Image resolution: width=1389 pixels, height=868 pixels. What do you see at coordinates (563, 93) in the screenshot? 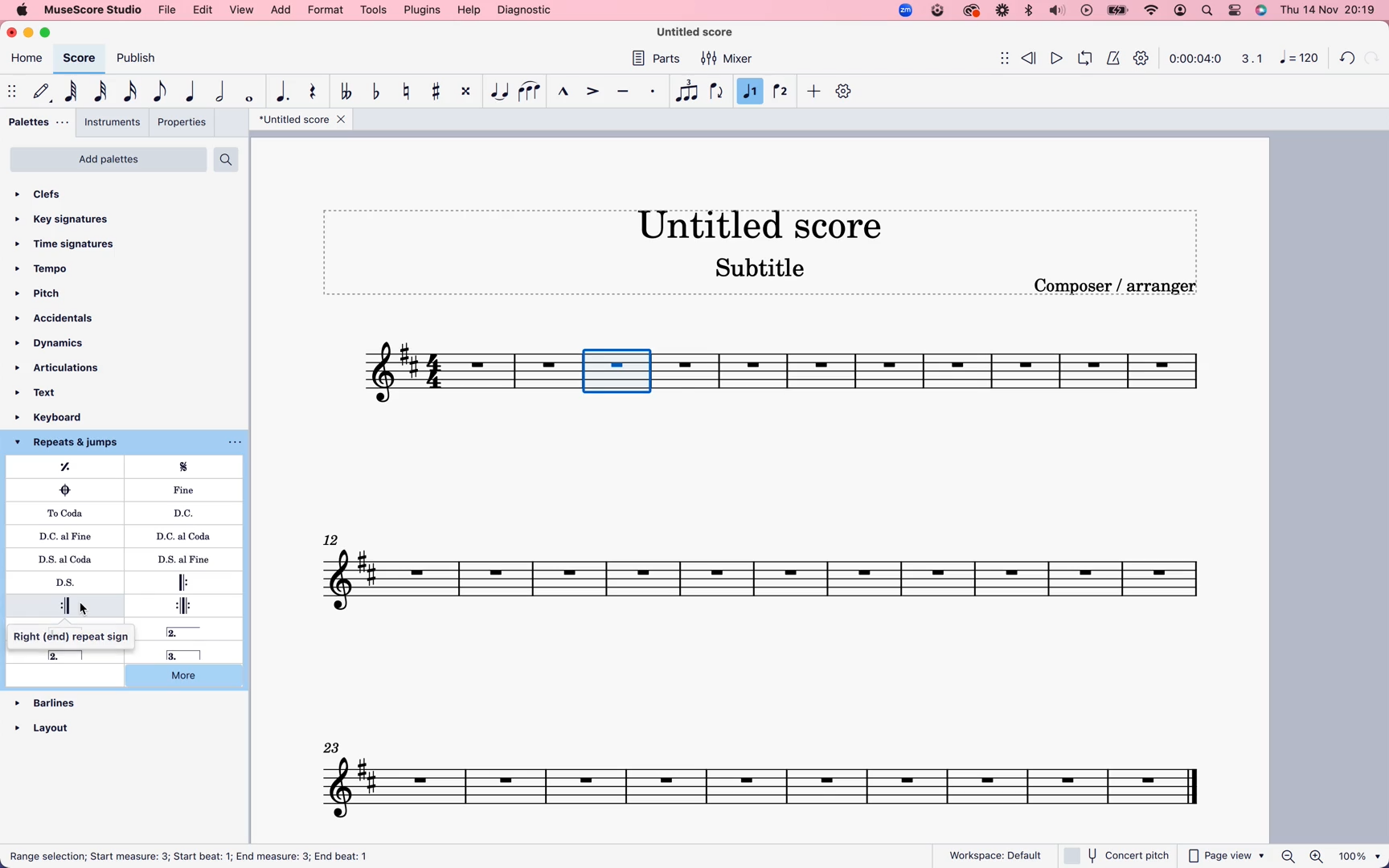
I see `marcato` at bounding box center [563, 93].